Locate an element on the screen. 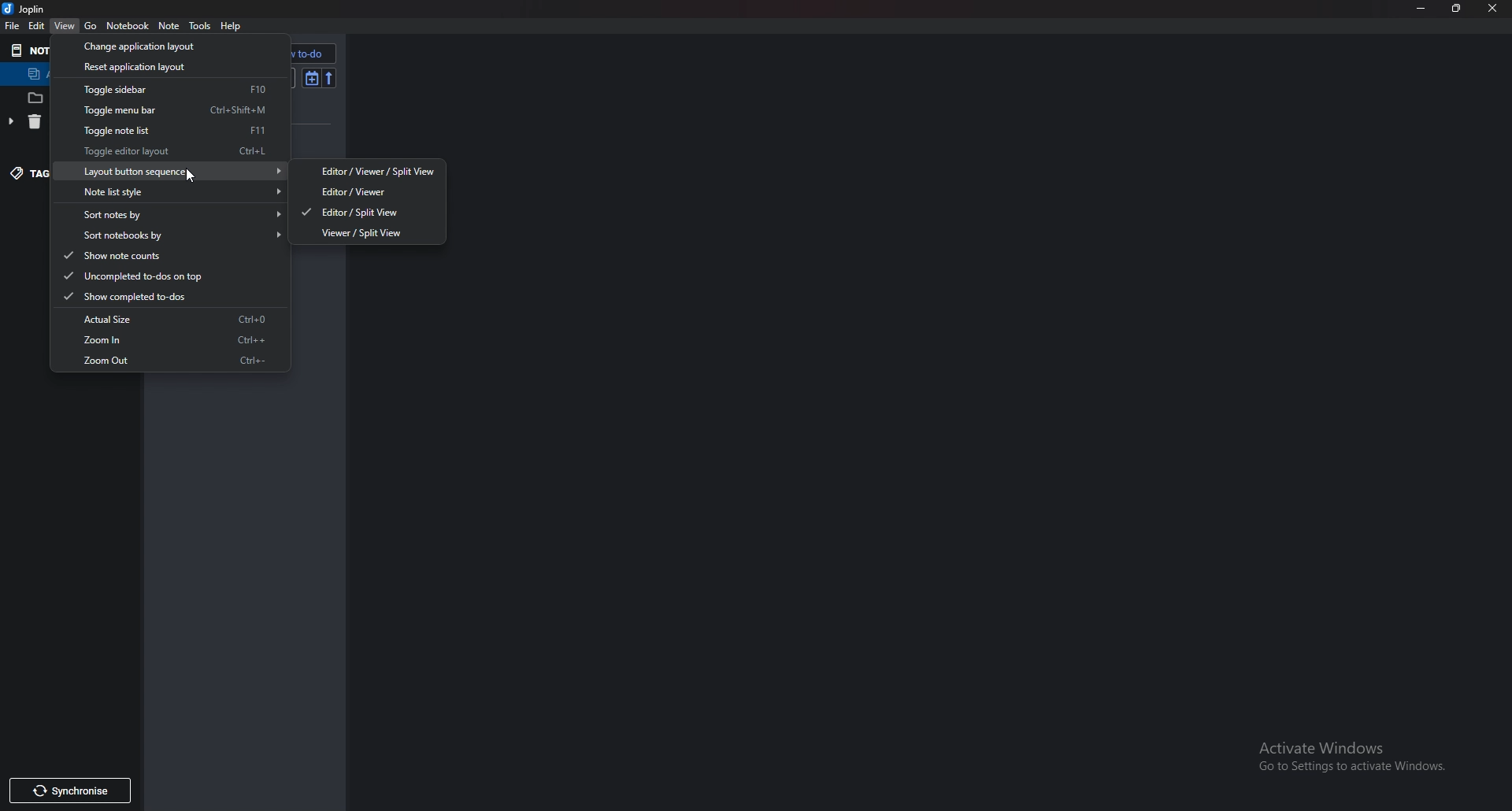 The width and height of the screenshot is (1512, 811). Editor/ Splitview is located at coordinates (363, 212).